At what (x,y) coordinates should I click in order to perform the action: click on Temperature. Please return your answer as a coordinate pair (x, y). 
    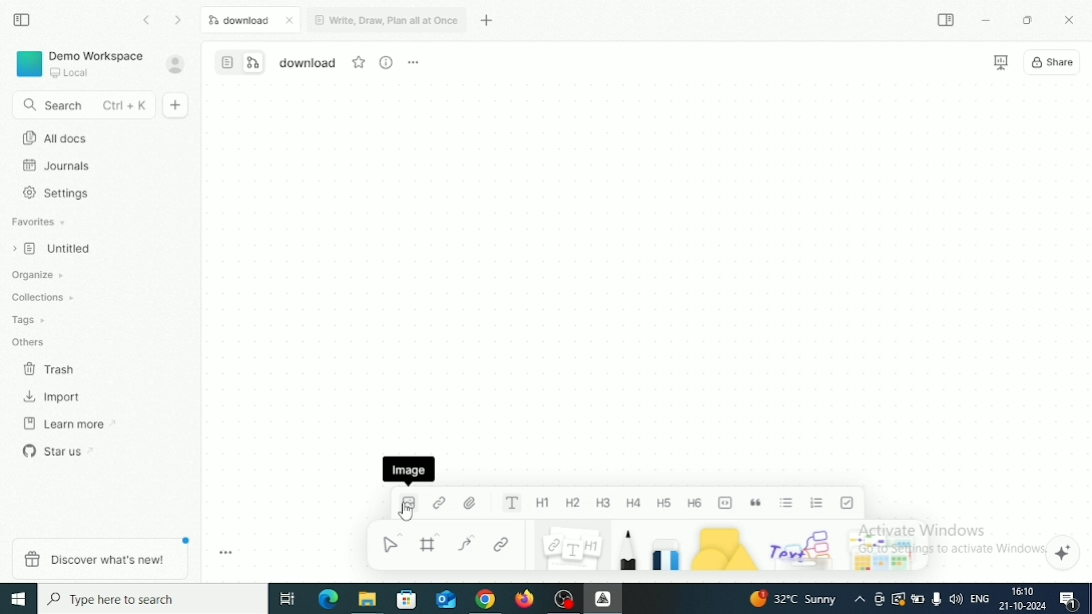
    Looking at the image, I should click on (793, 598).